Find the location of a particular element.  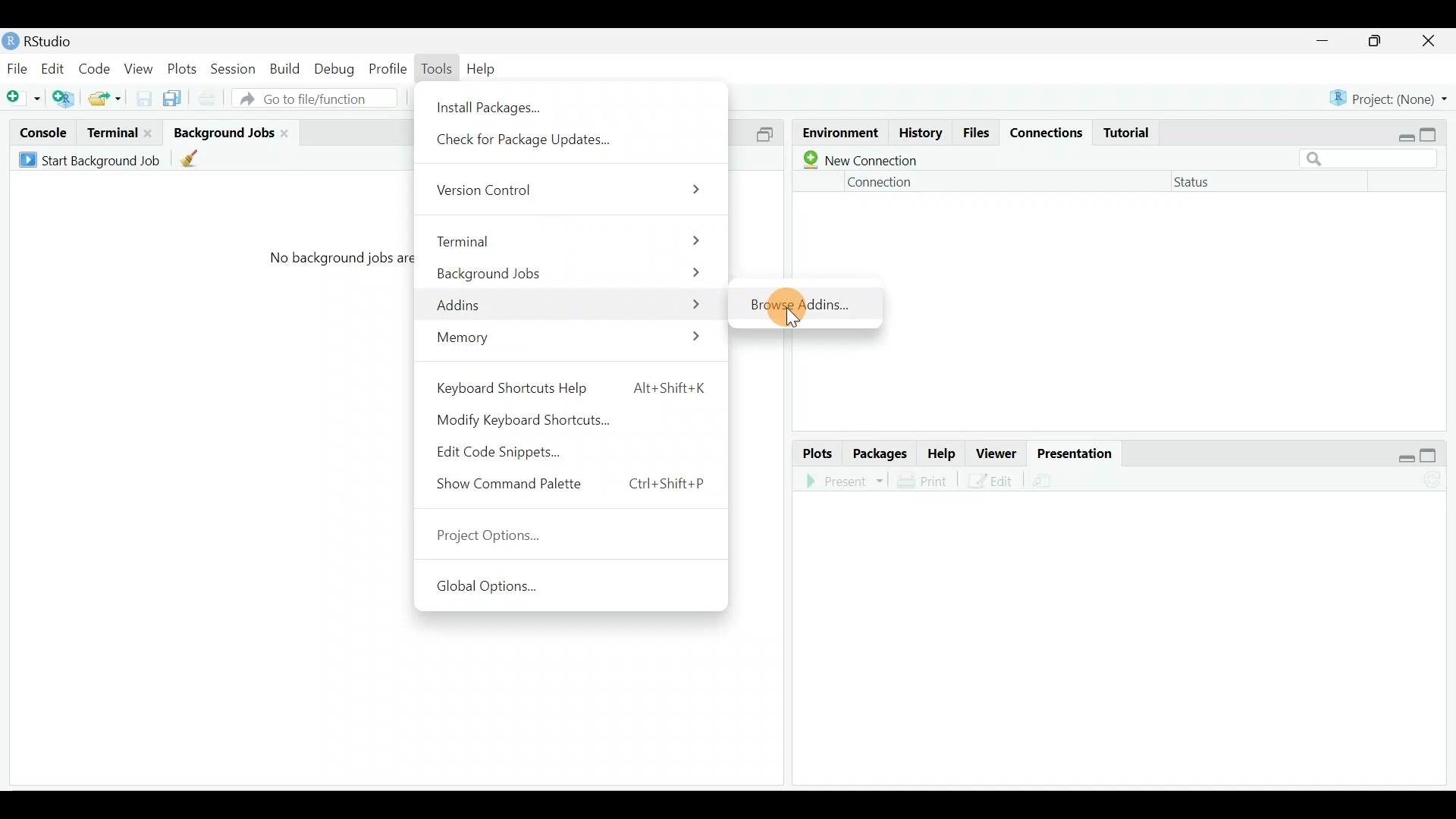

New file is located at coordinates (24, 99).